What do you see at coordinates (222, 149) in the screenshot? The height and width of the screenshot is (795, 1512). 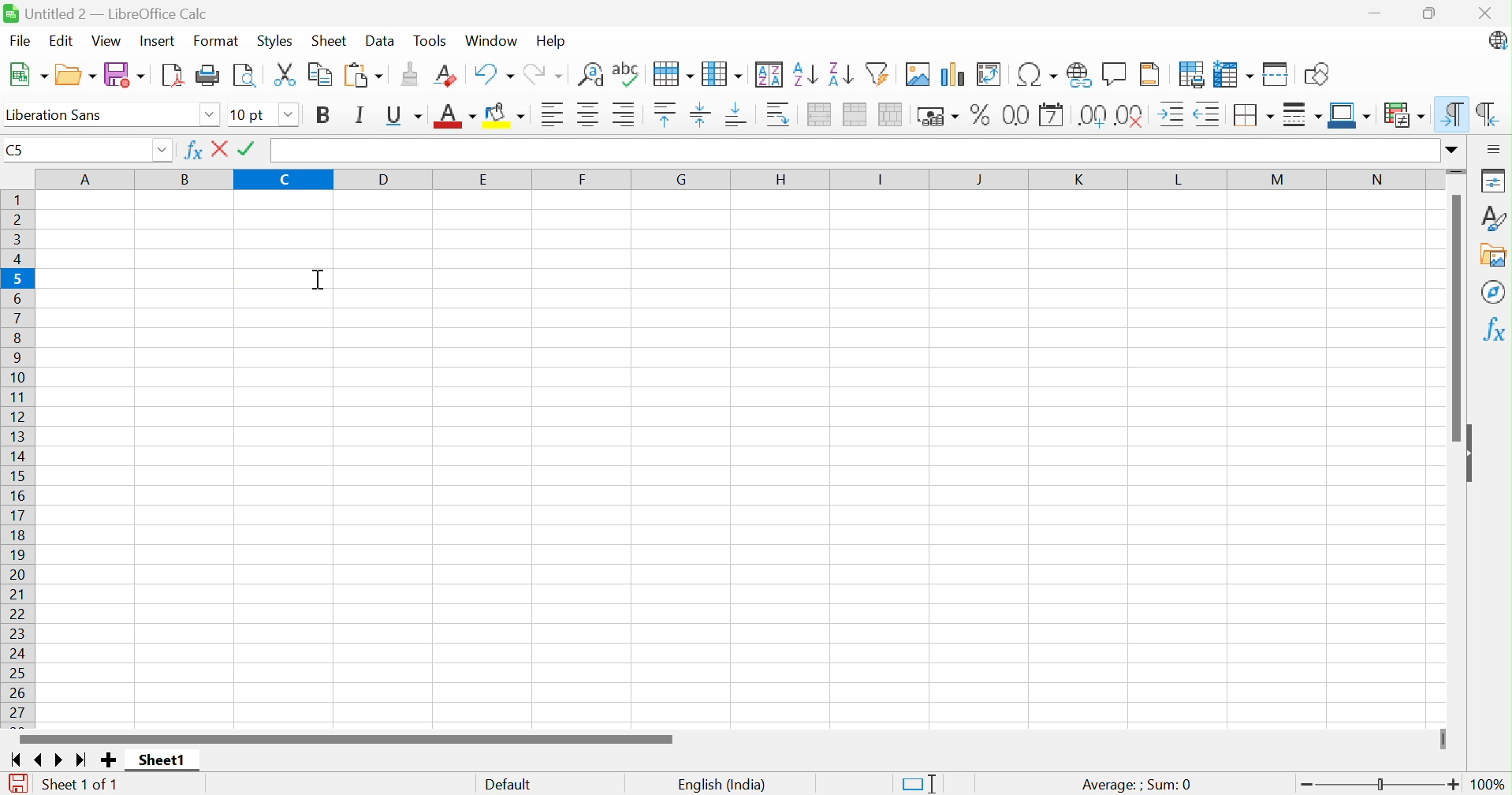 I see `Close` at bounding box center [222, 149].